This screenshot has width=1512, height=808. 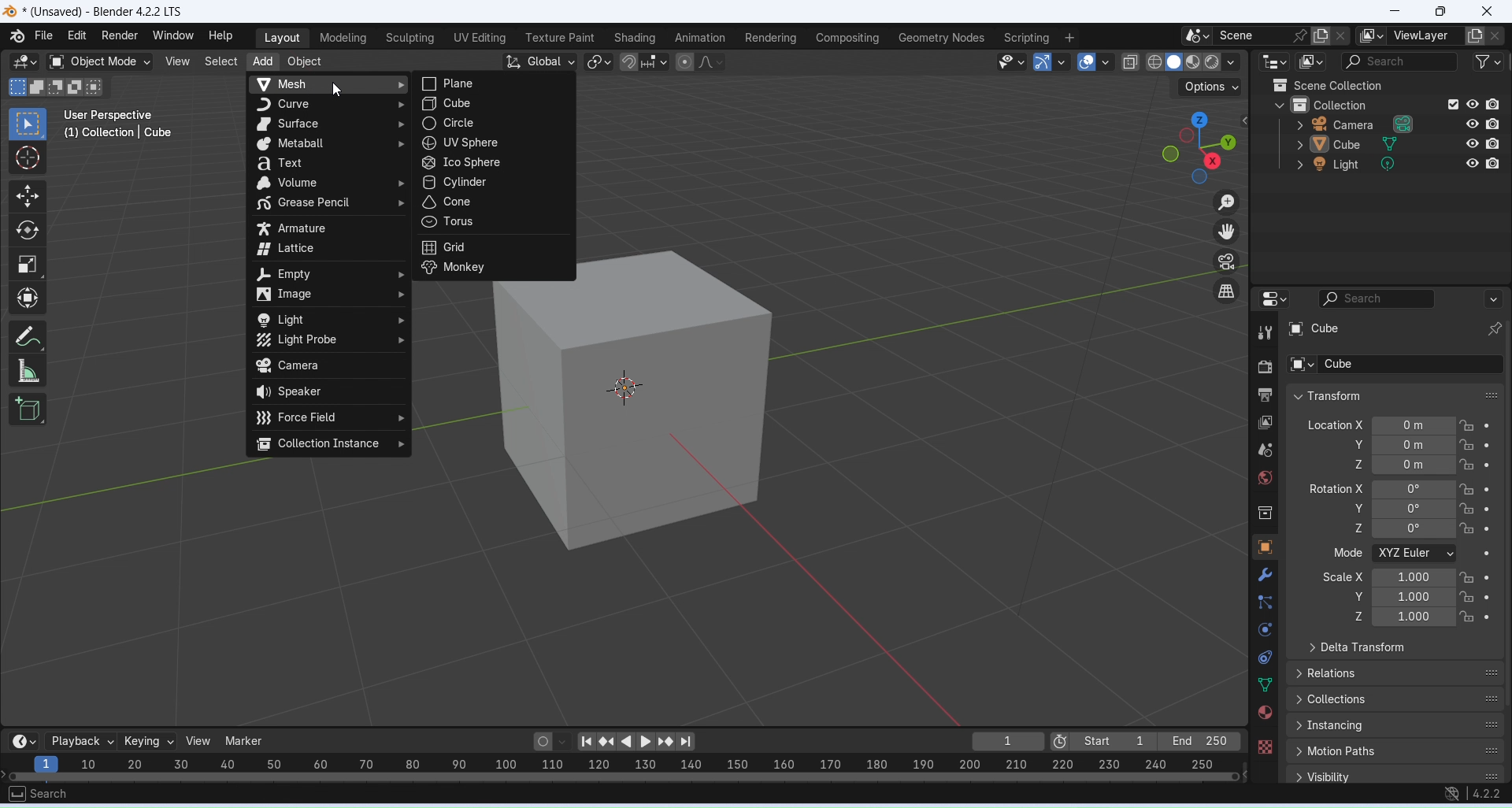 What do you see at coordinates (1435, 445) in the screenshot?
I see `Y axis` at bounding box center [1435, 445].